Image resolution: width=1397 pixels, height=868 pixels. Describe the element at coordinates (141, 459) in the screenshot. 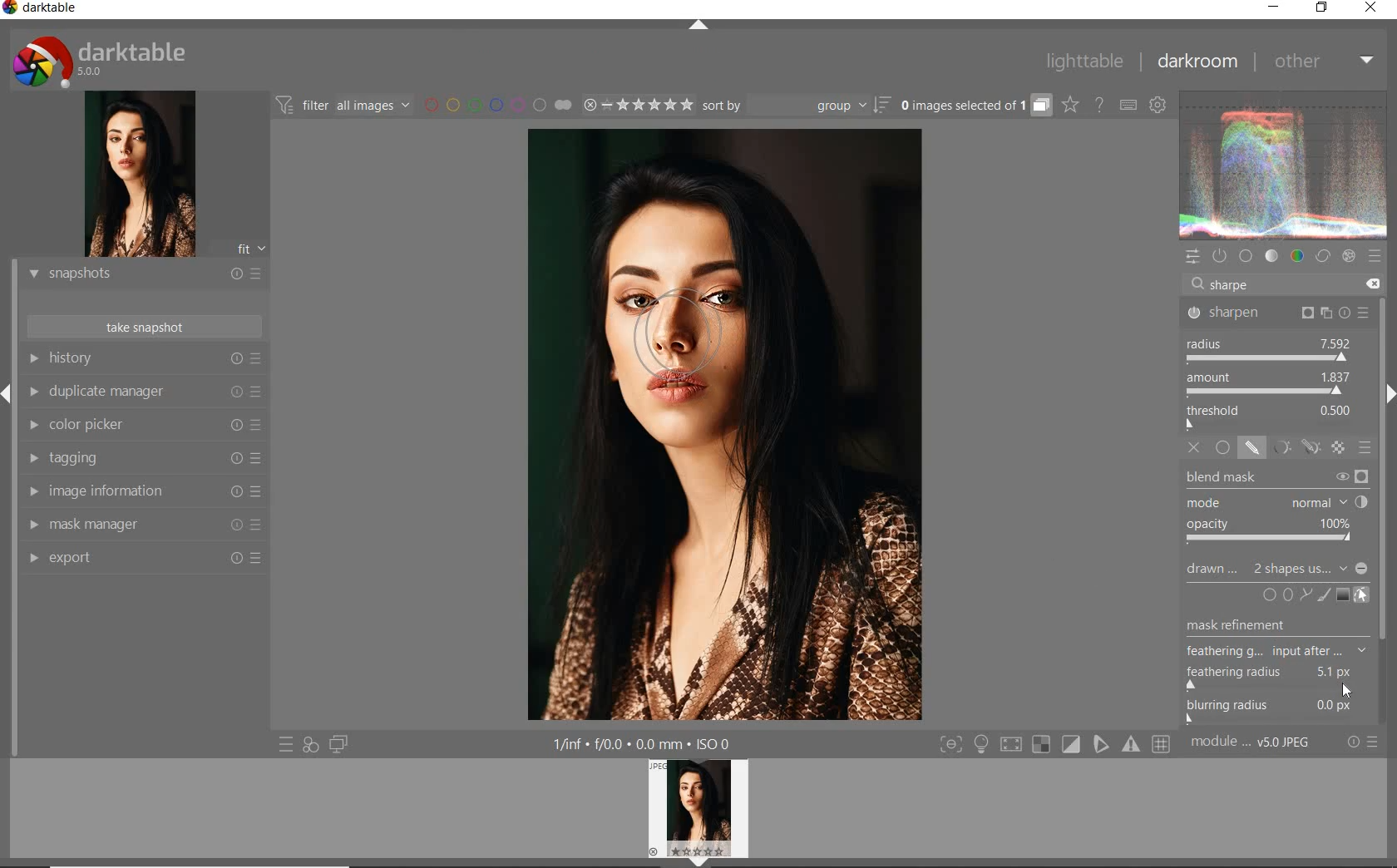

I see `TAGGING` at that location.